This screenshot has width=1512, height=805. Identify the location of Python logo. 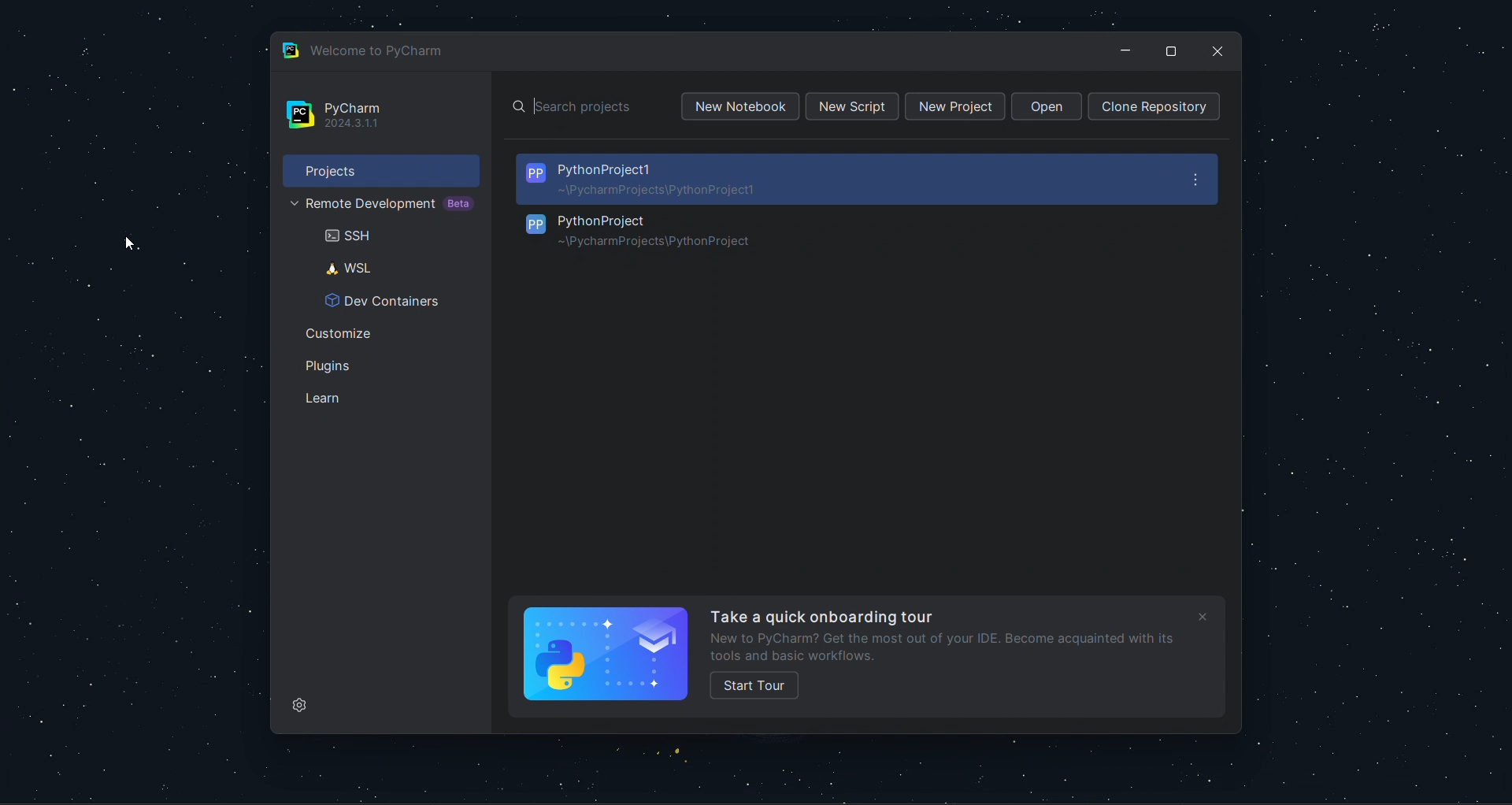
(602, 653).